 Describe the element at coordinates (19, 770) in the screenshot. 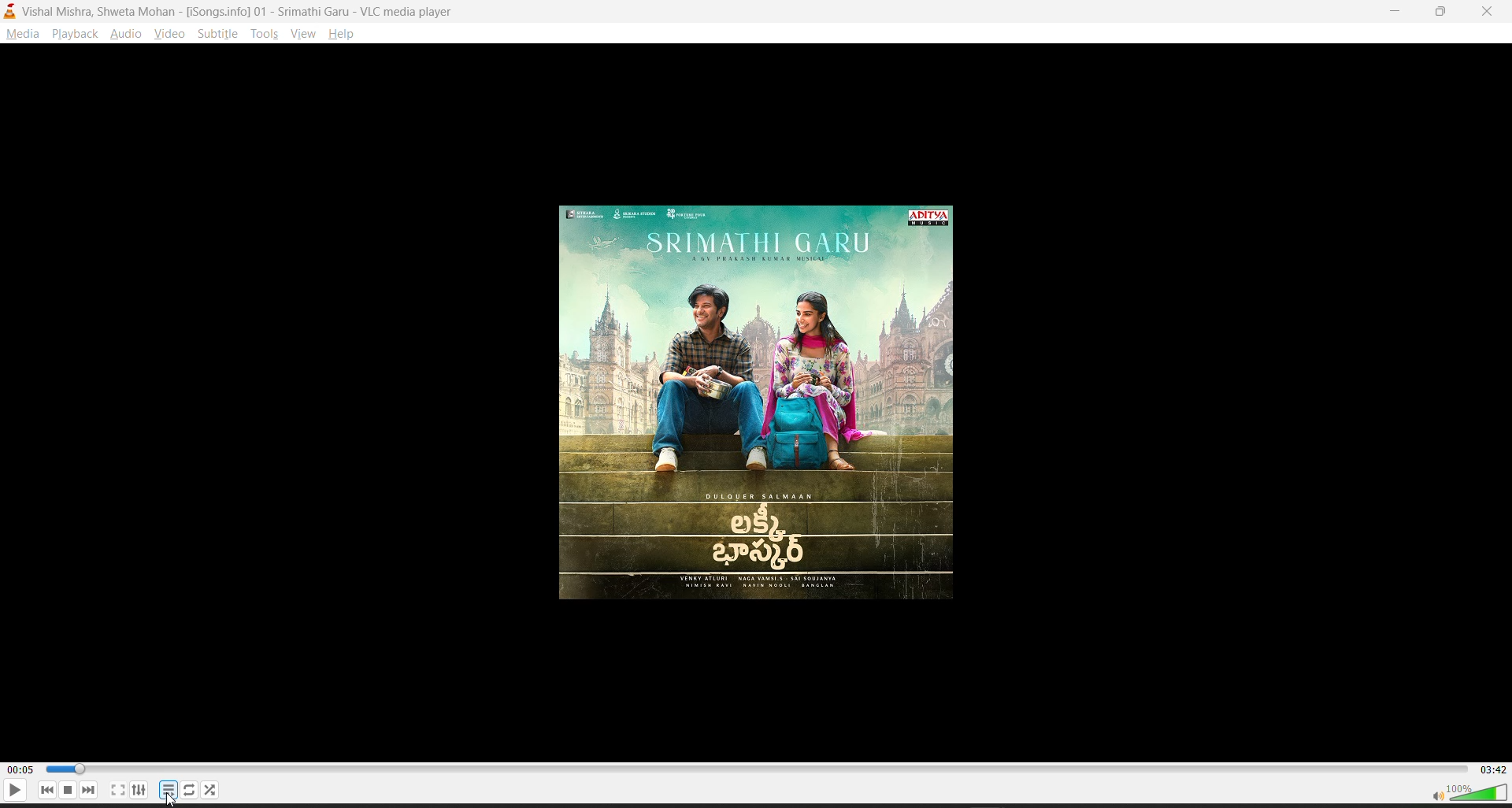

I see `current track time` at that location.